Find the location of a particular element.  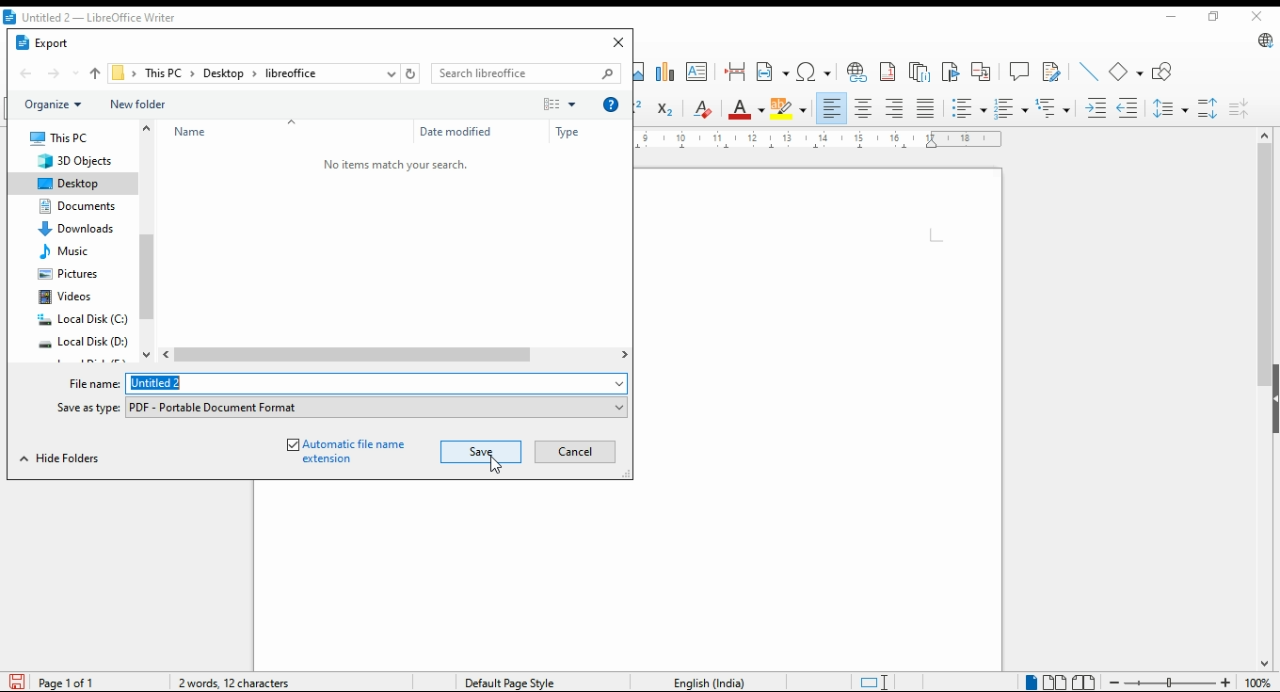

desktop is located at coordinates (75, 182).